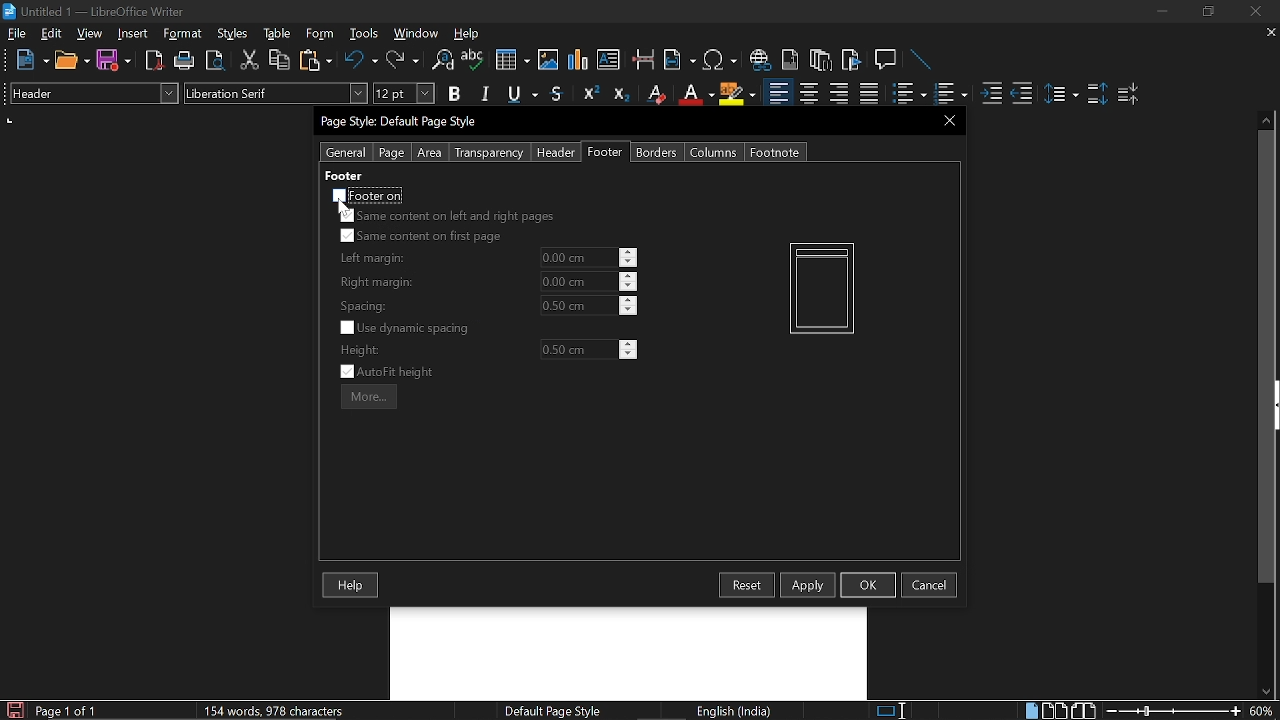 The width and height of the screenshot is (1280, 720). I want to click on General, so click(347, 152).